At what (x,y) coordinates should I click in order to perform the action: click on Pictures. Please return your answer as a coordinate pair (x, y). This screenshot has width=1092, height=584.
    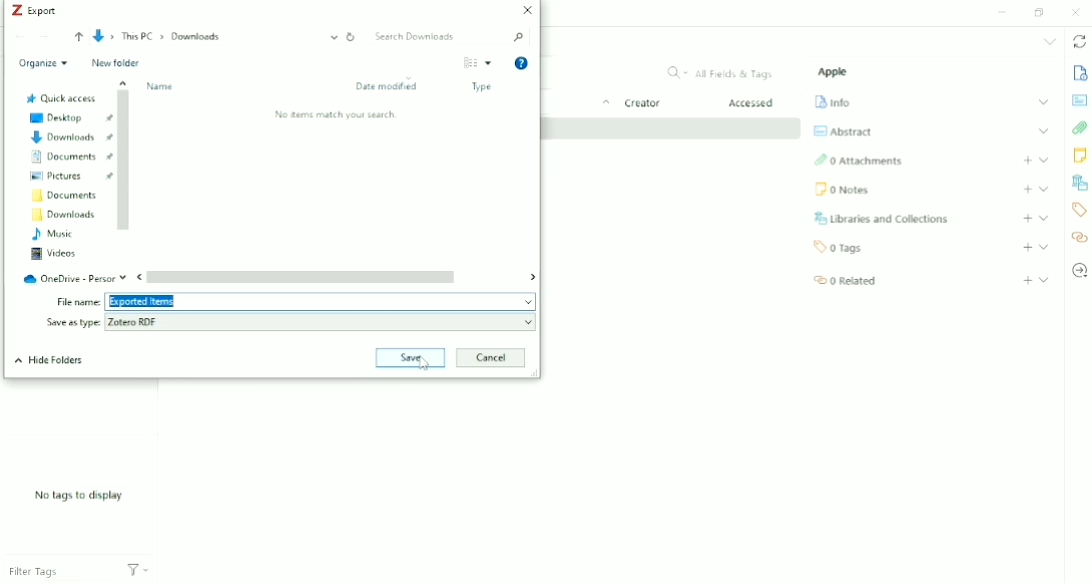
    Looking at the image, I should click on (70, 177).